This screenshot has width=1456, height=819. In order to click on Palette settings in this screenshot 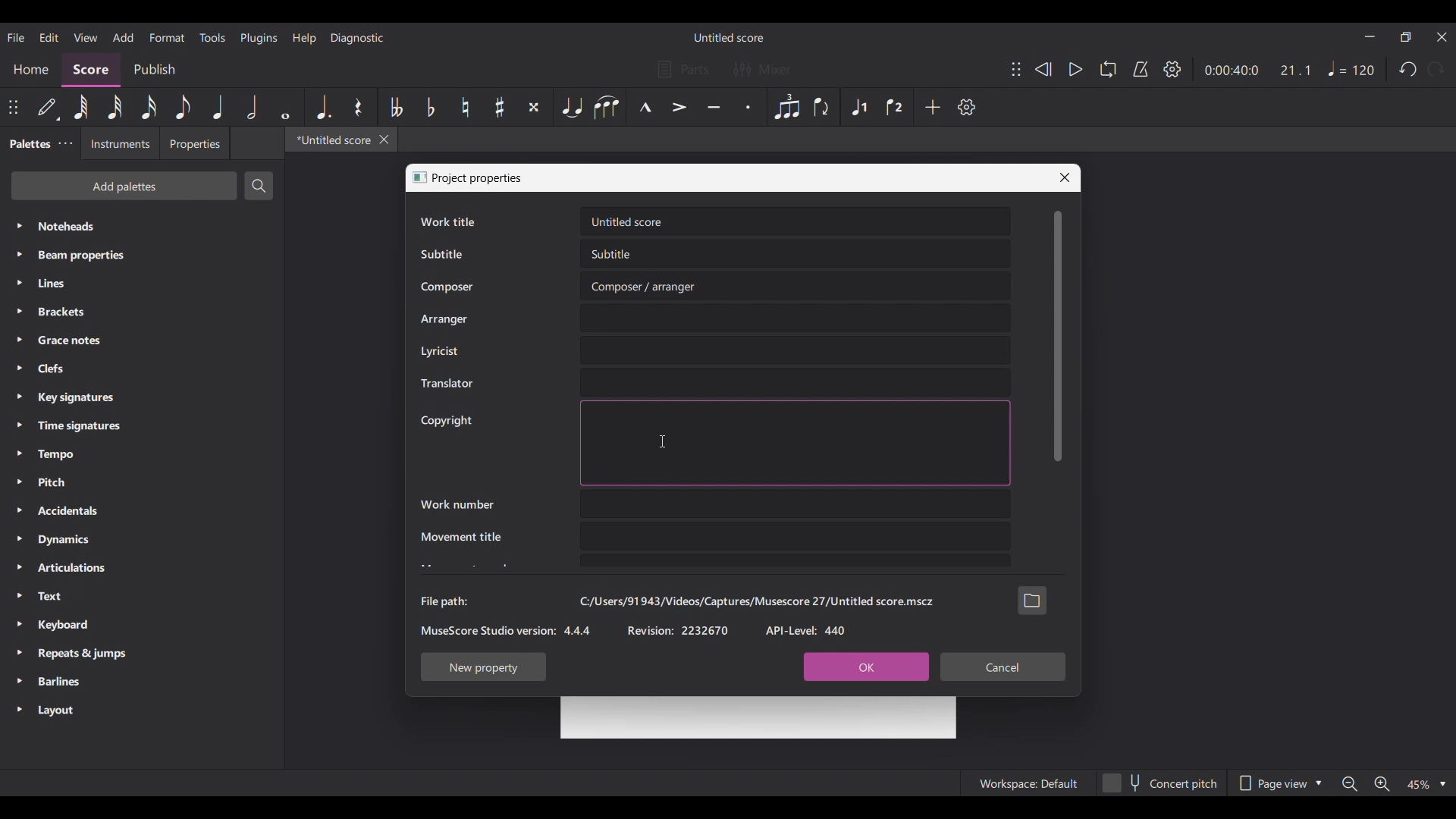, I will do `click(66, 143)`.